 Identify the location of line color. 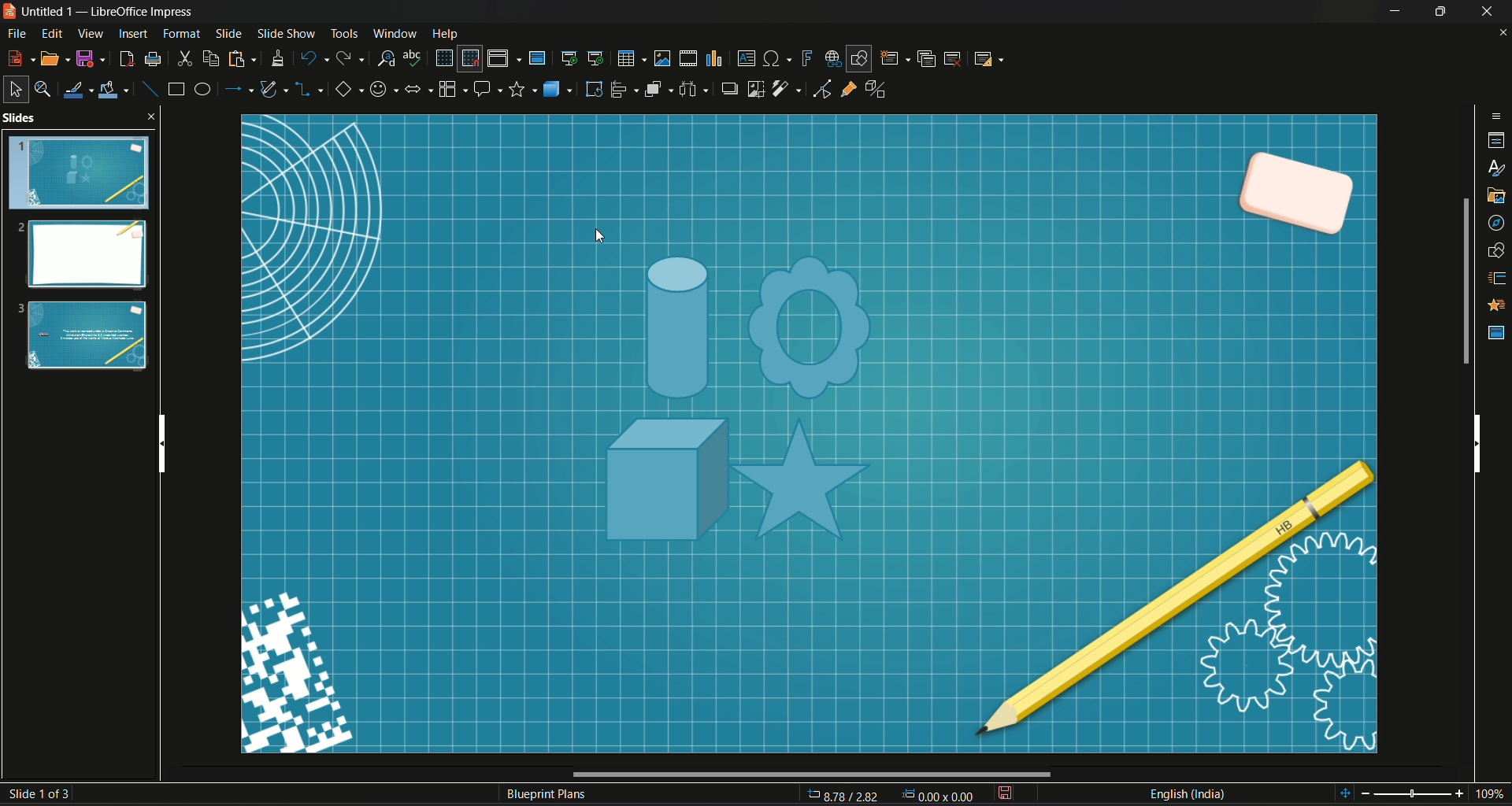
(77, 90).